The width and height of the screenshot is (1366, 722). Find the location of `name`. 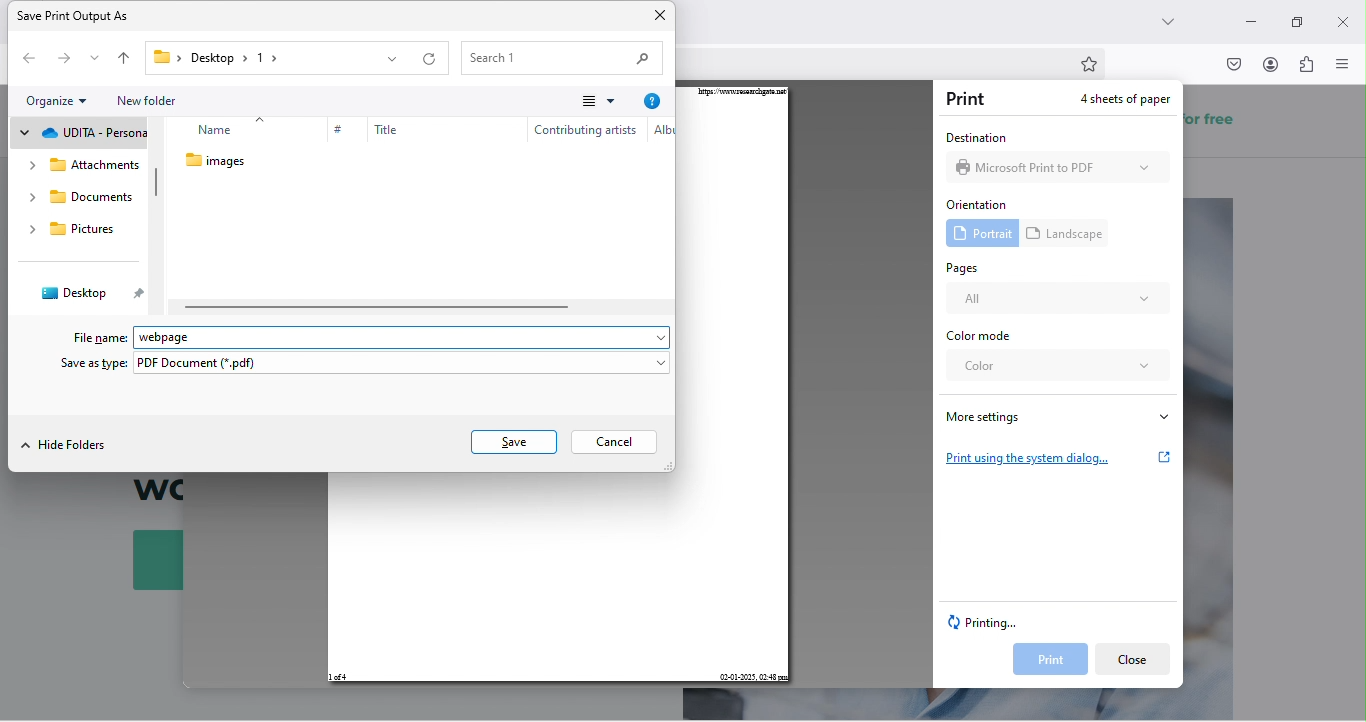

name is located at coordinates (227, 134).